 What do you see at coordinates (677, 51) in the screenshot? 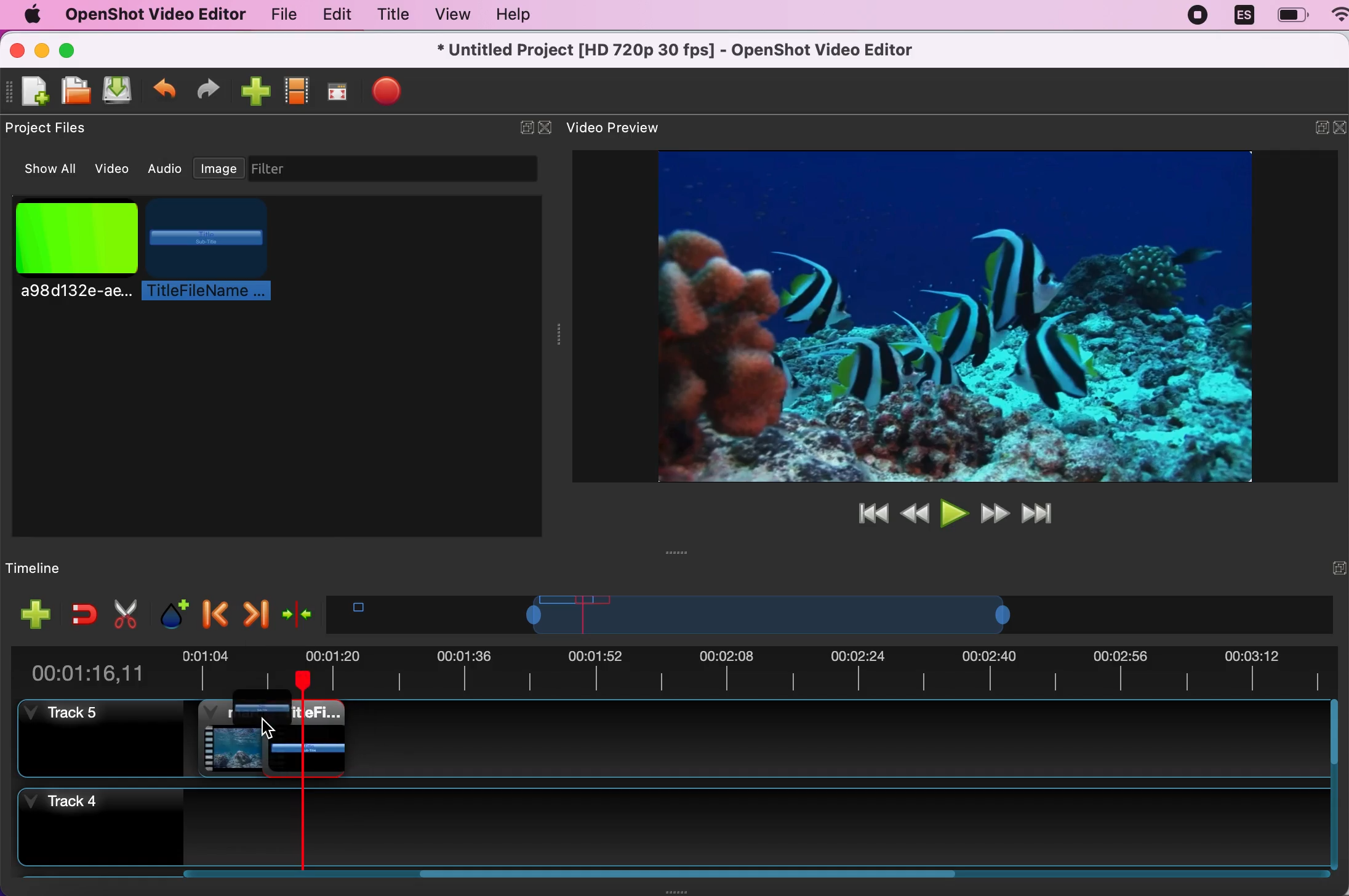
I see `title - Untitled Project [HD 720p 30 fps)-OpenShot Video Editor` at bounding box center [677, 51].